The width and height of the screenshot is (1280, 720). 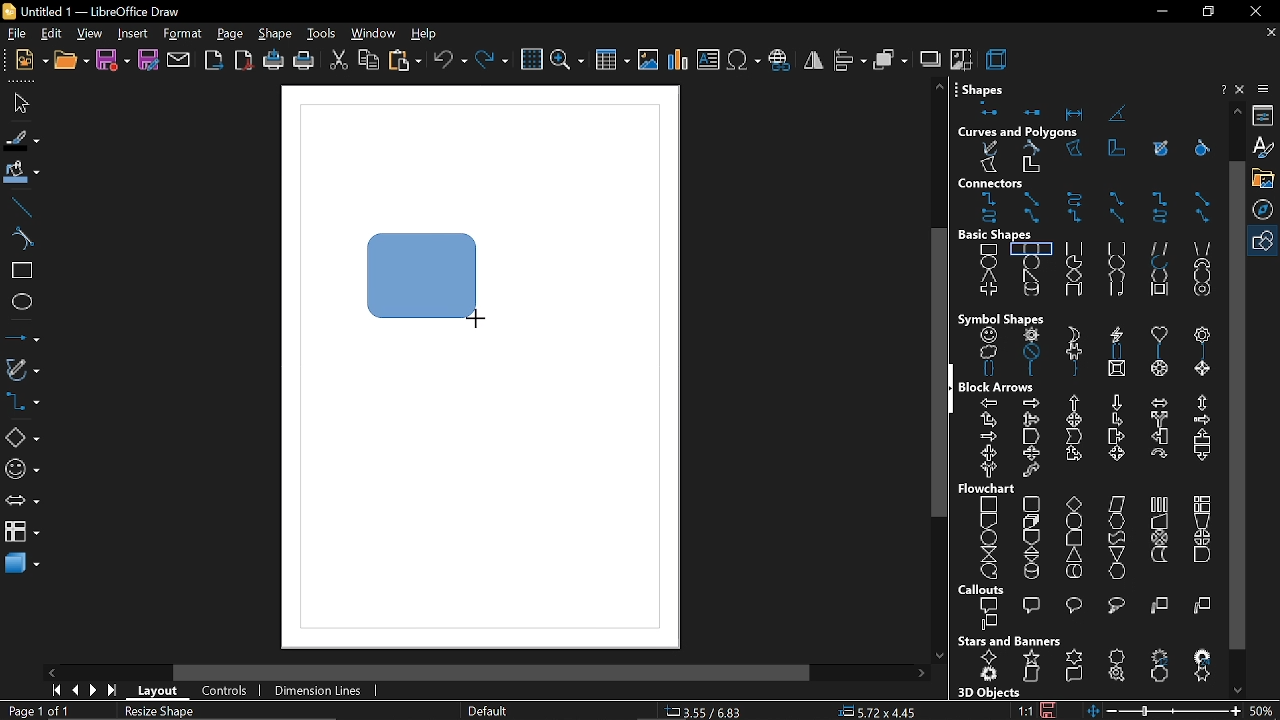 I want to click on previous page, so click(x=74, y=691).